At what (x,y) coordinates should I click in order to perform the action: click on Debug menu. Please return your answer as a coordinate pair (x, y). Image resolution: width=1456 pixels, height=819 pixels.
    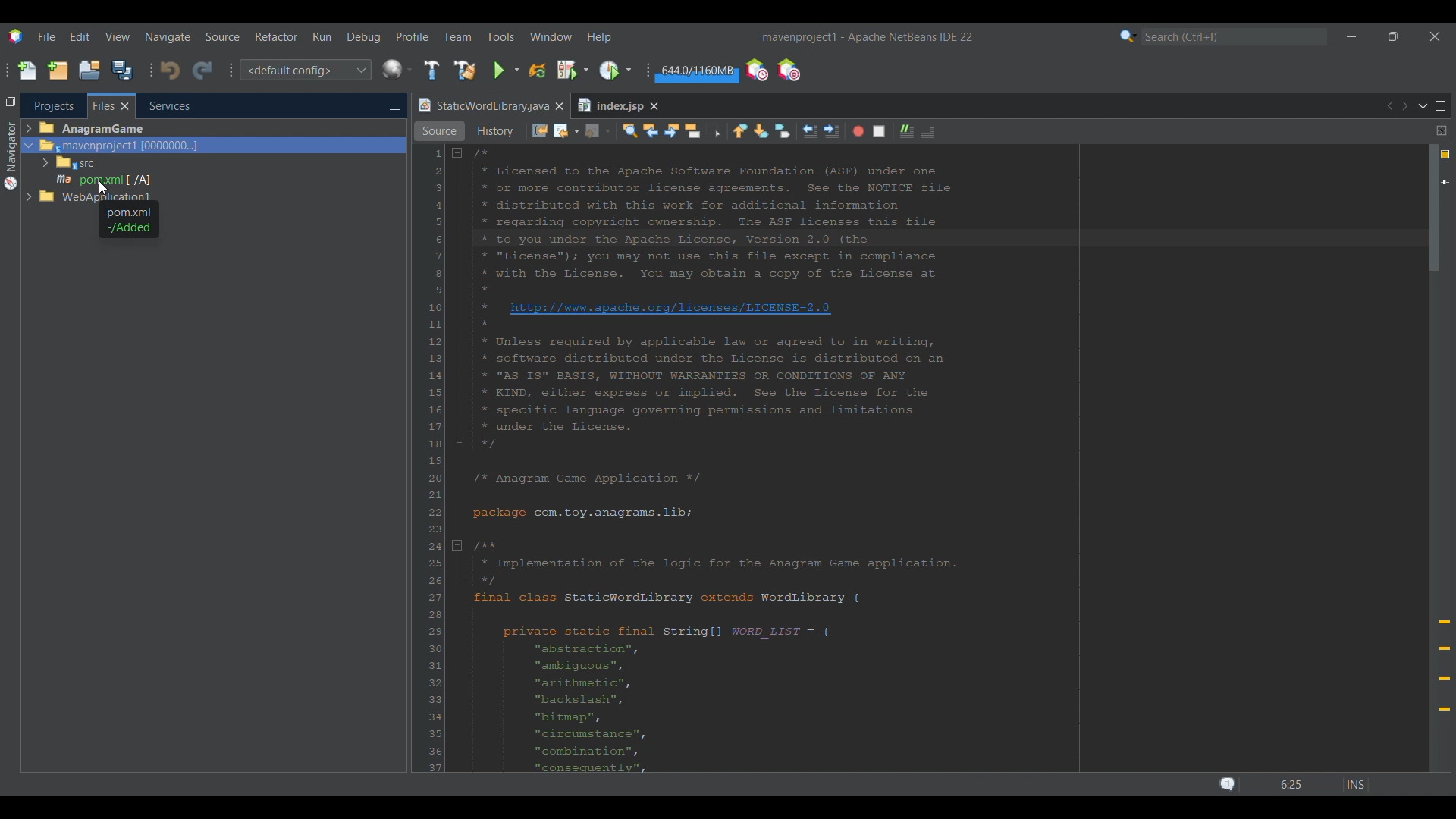
    Looking at the image, I should click on (364, 37).